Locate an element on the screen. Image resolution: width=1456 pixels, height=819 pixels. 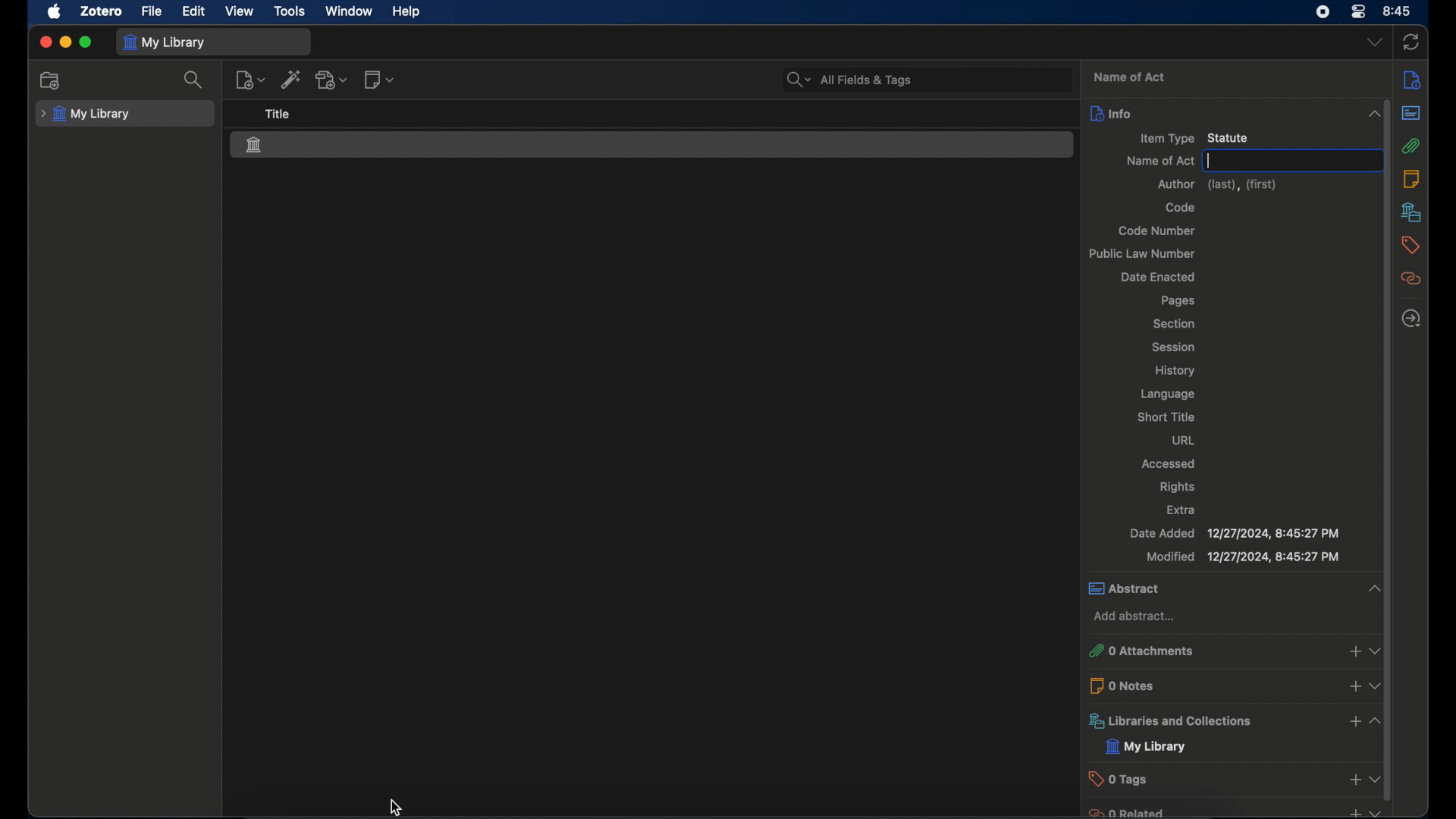
dropdown is located at coordinates (1376, 810).